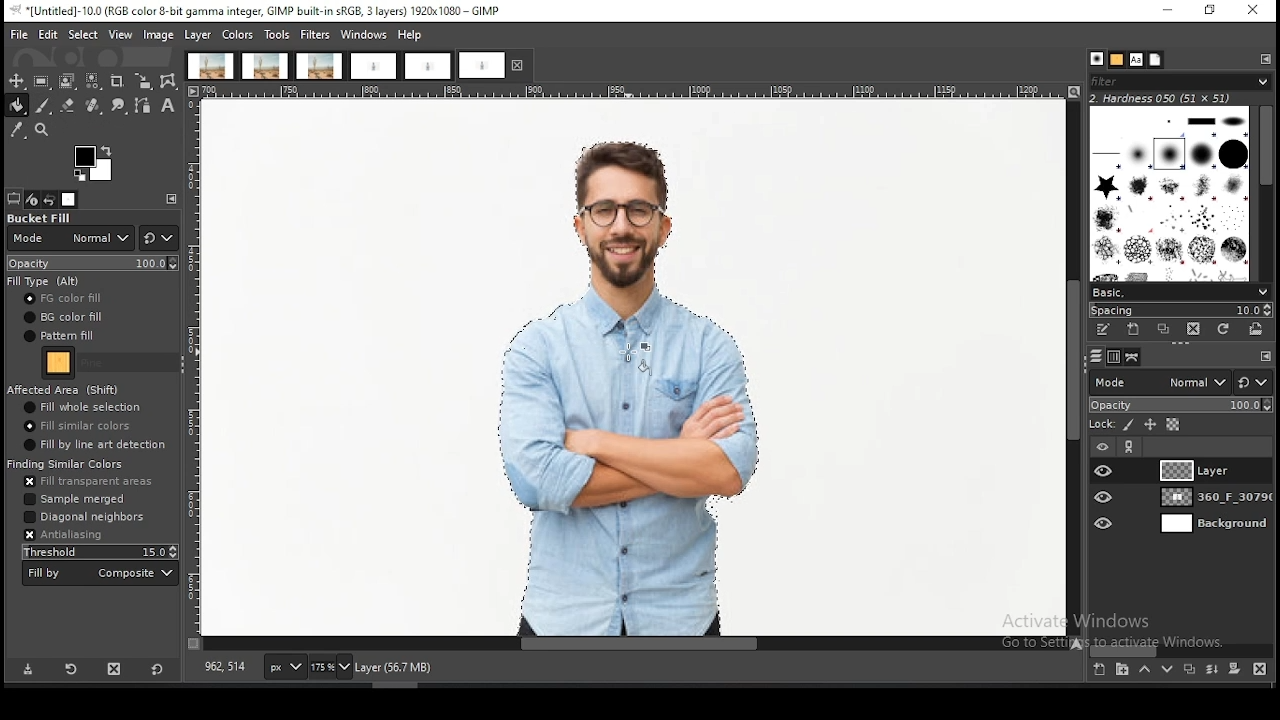 The height and width of the screenshot is (720, 1280). I want to click on paths, so click(1135, 357).